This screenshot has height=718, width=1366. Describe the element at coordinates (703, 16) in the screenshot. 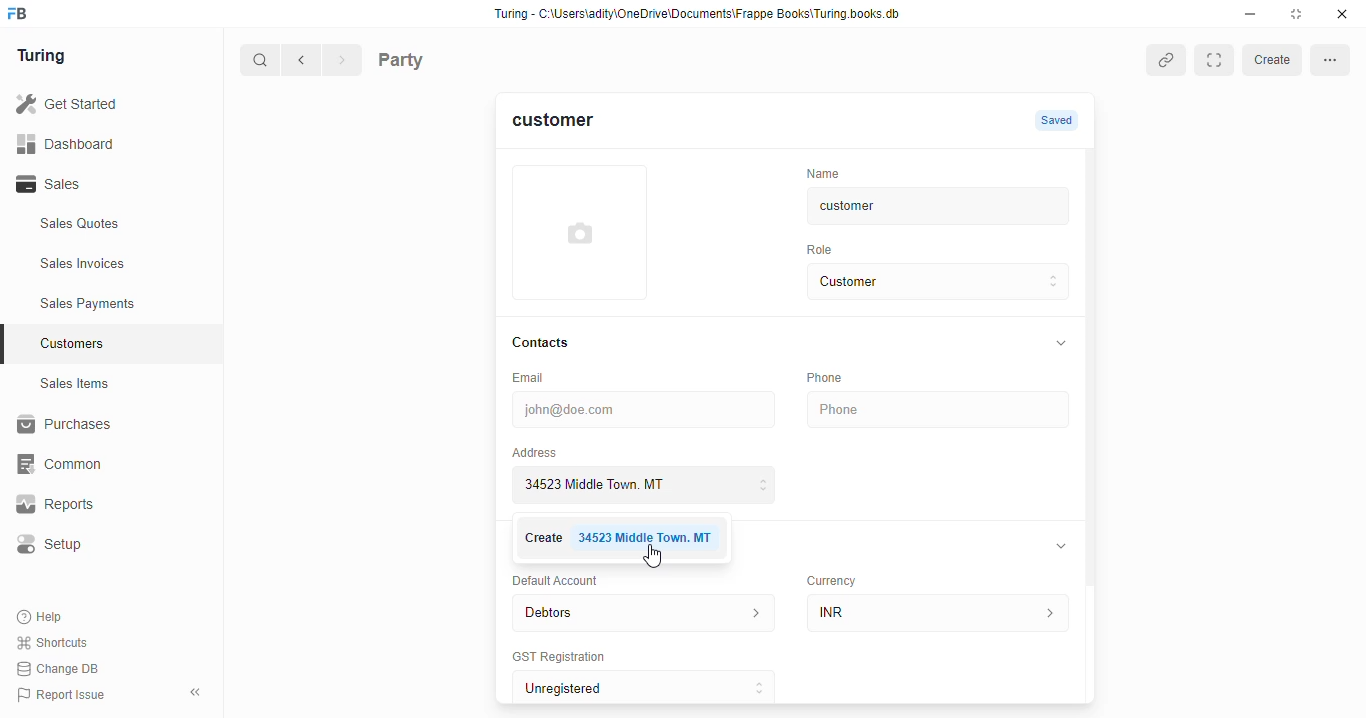

I see `Turing - C:\Users\adity\OneDrive\Documents\Frappe Books\Turing books. db` at that location.